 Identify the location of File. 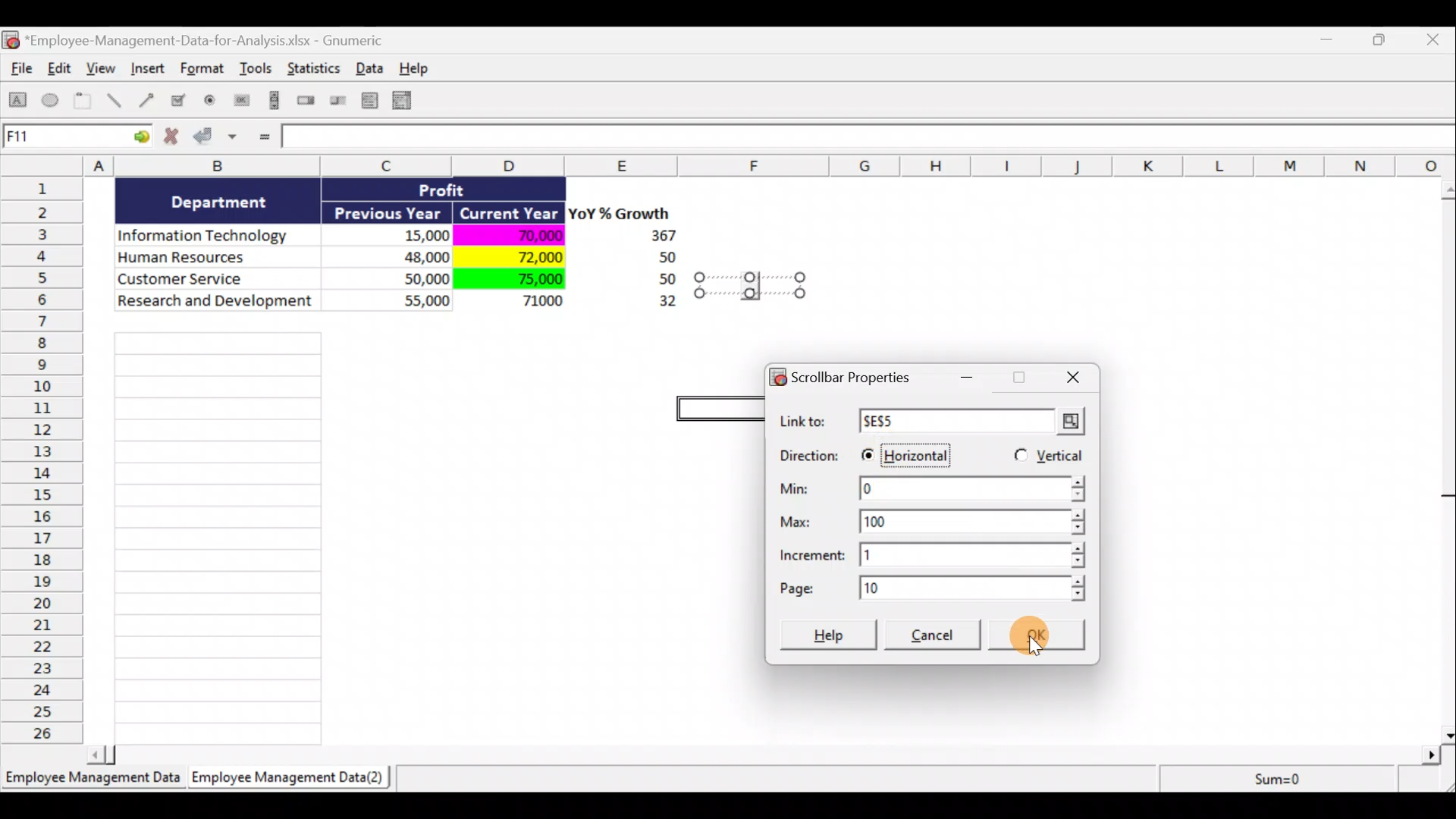
(18, 71).